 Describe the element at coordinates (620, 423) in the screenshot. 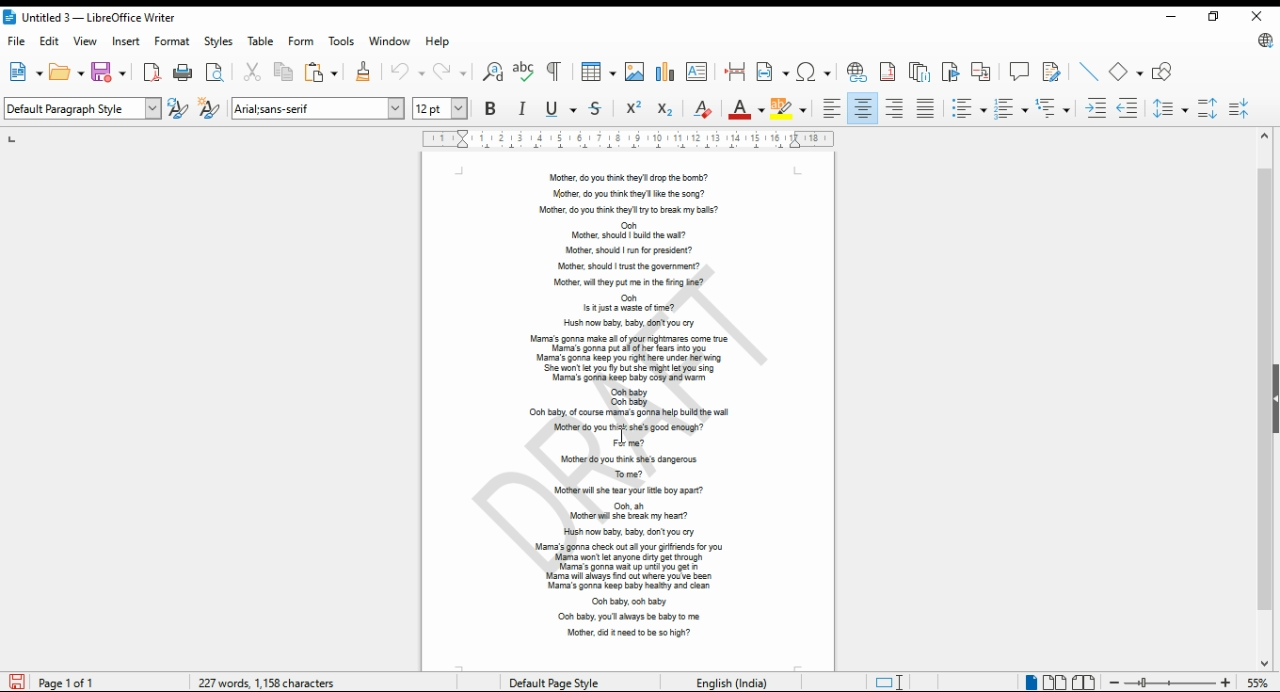

I see `watermark` at that location.